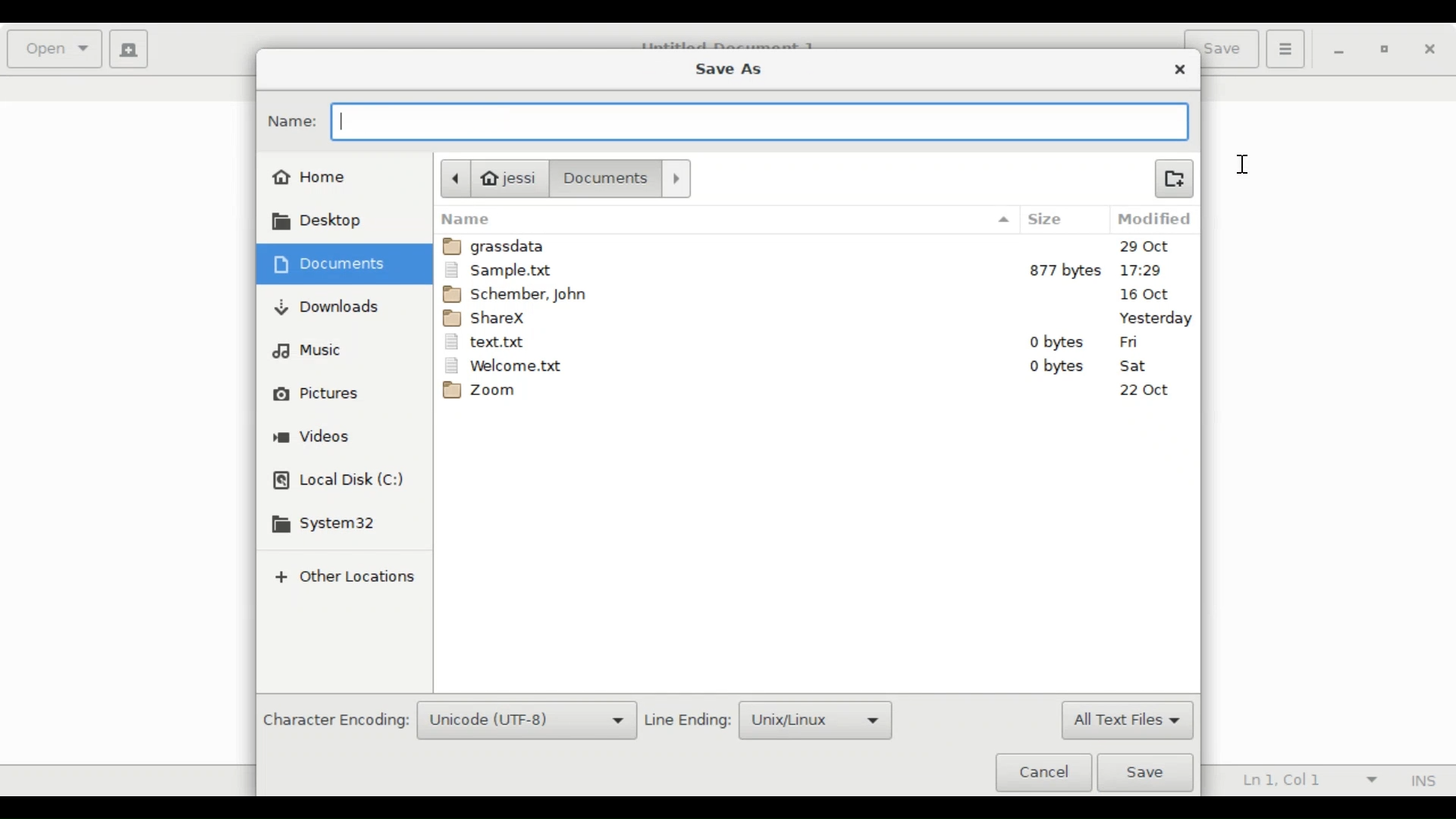 This screenshot has width=1456, height=819. Describe the element at coordinates (308, 350) in the screenshot. I see `Music` at that location.